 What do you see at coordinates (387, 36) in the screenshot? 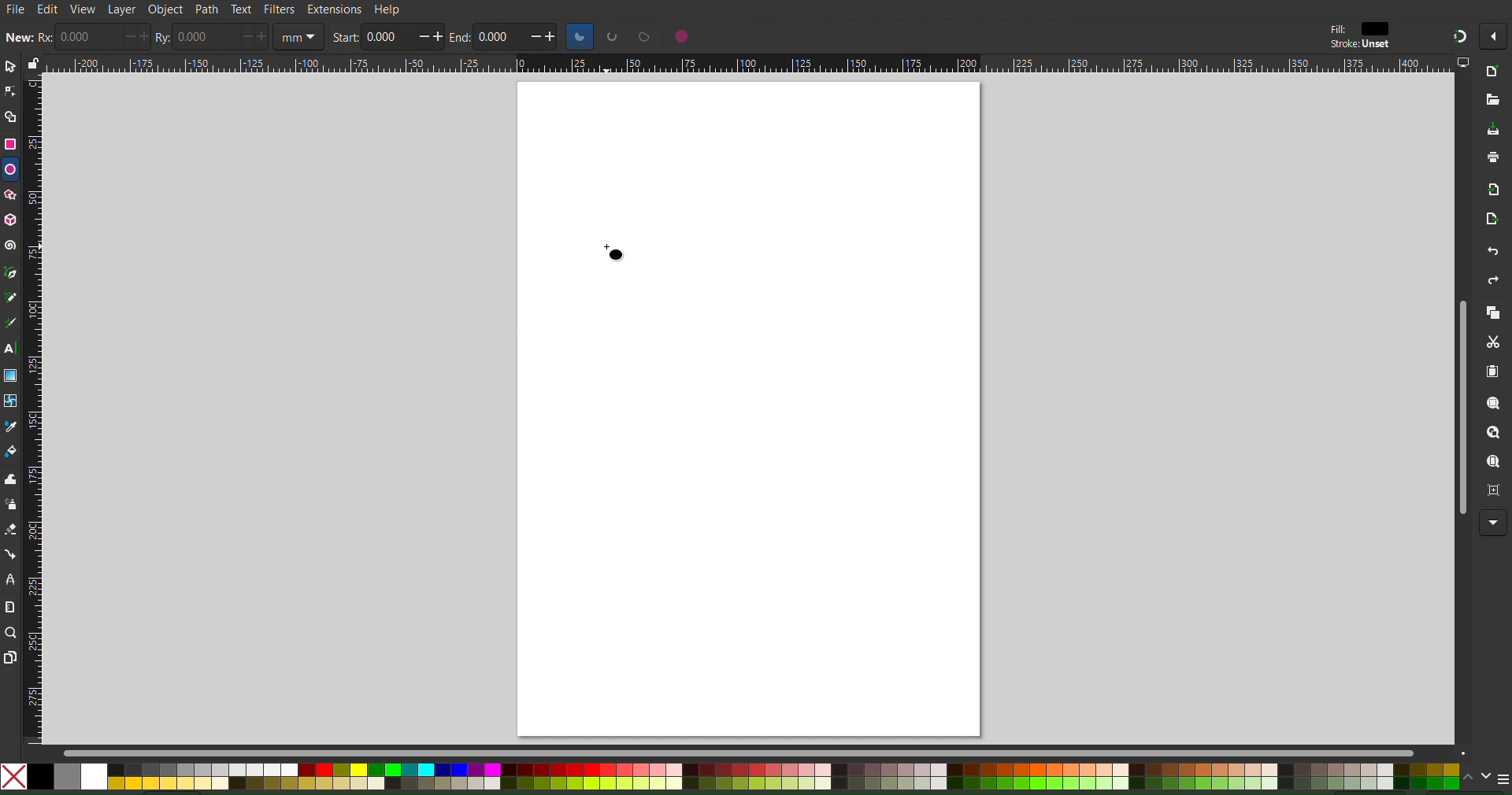
I see `0` at bounding box center [387, 36].